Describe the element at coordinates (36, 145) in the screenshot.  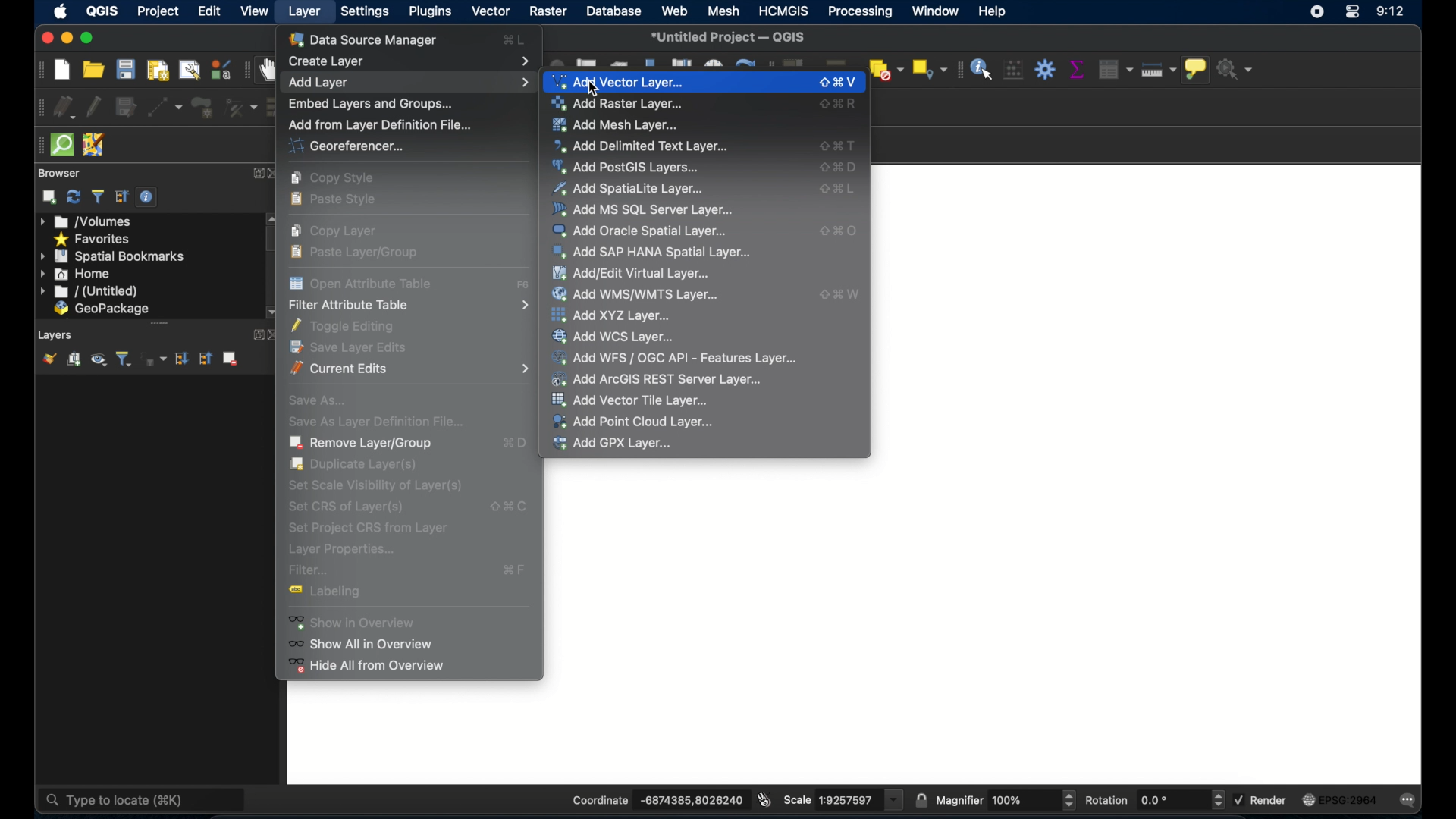
I see `drag handle` at that location.